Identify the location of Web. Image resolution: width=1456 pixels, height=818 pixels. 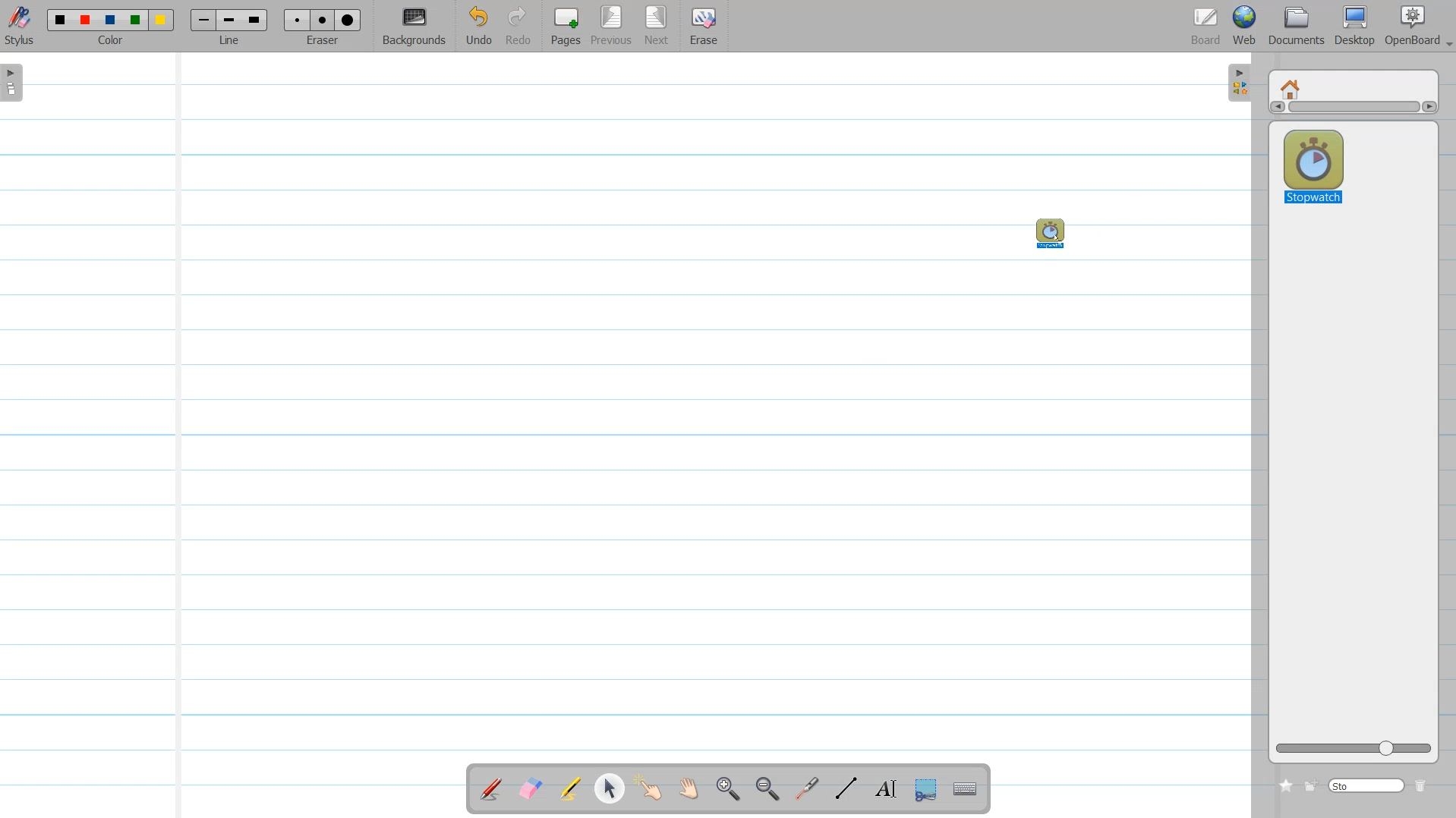
(1245, 26).